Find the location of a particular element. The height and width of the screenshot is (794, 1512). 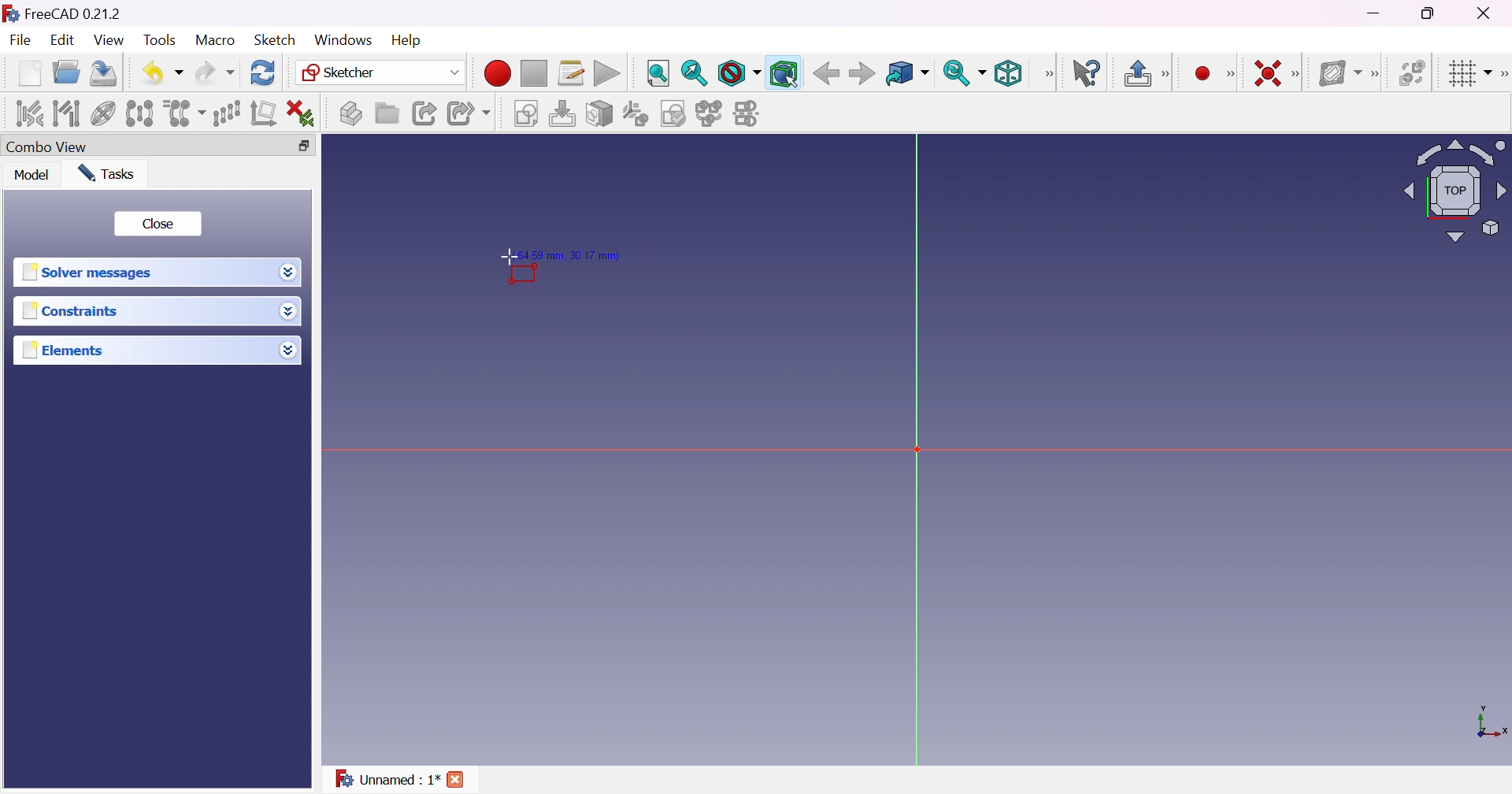

Reorient sketch... is located at coordinates (634, 114).